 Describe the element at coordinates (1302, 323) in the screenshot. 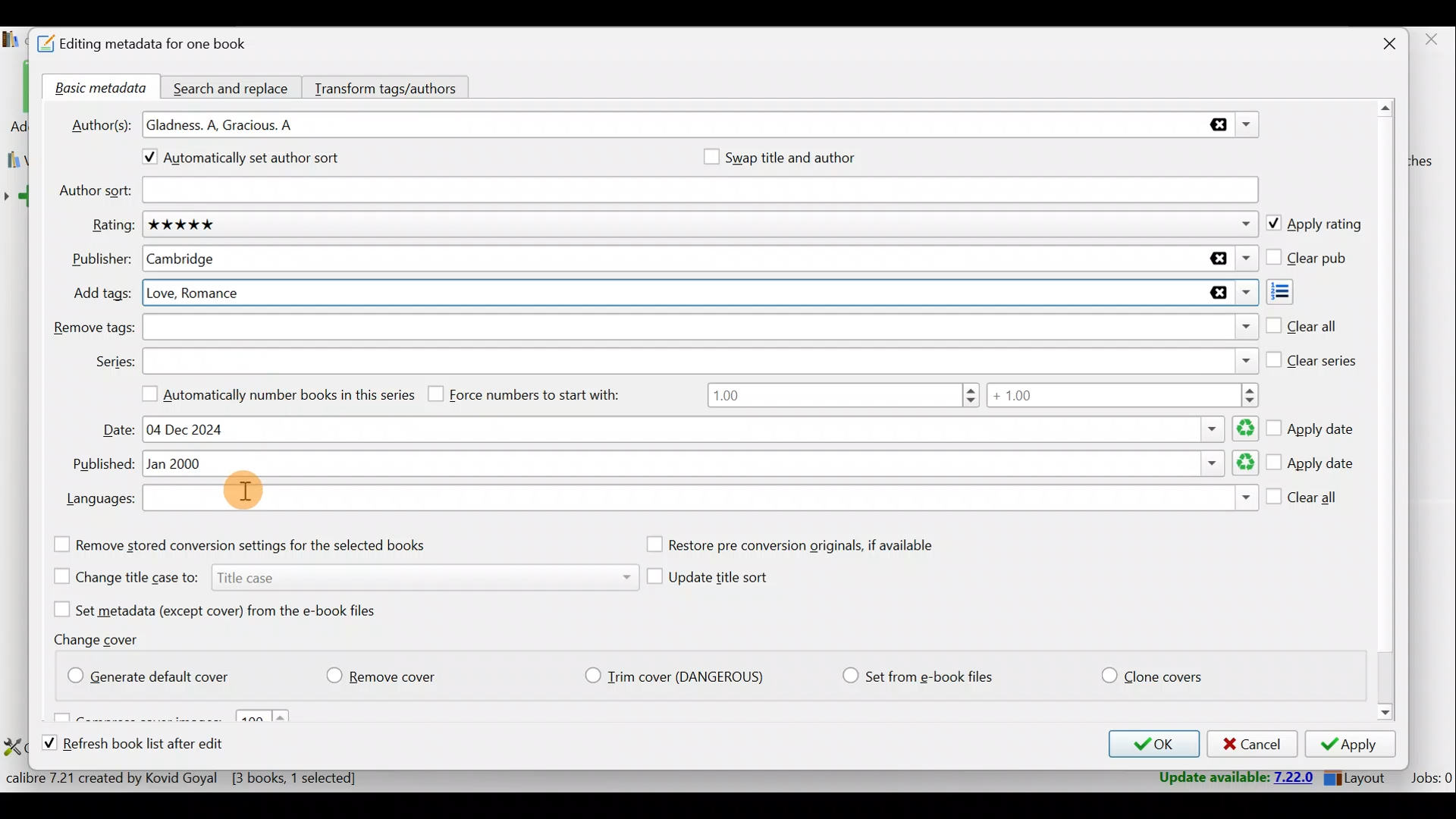

I see `Clear all` at that location.